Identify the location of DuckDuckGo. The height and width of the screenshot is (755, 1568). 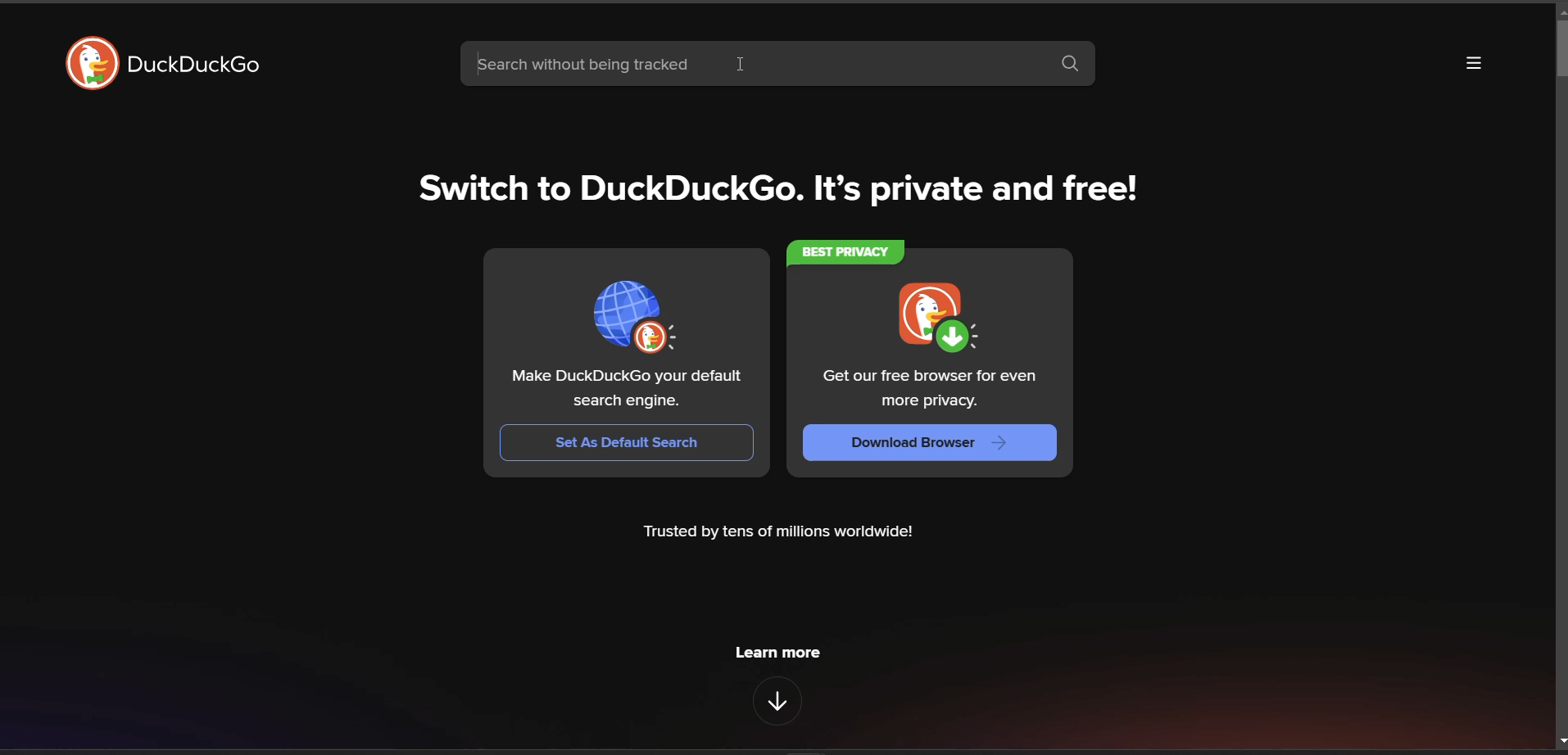
(196, 65).